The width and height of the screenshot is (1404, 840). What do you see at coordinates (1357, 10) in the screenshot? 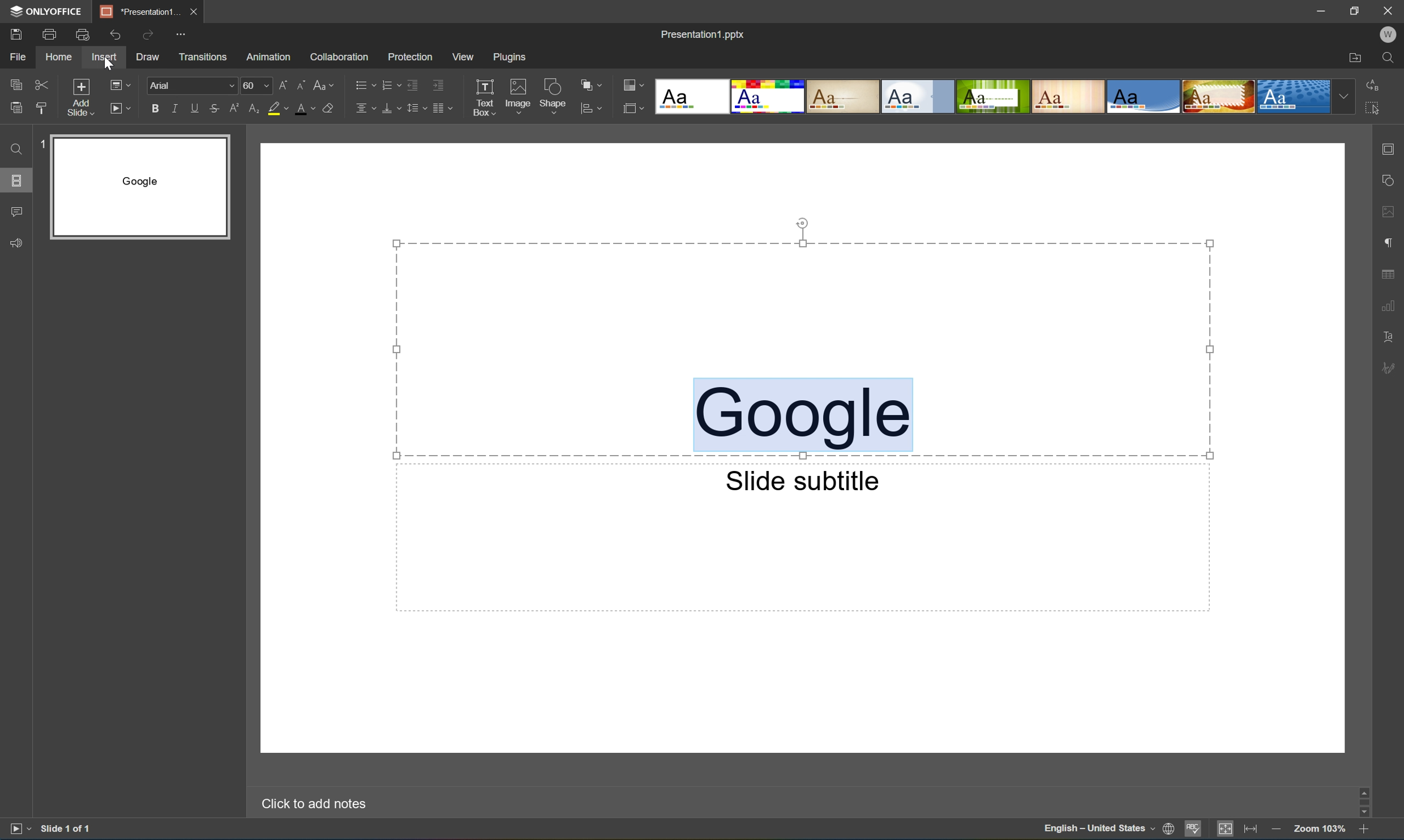
I see `Restore down` at bounding box center [1357, 10].